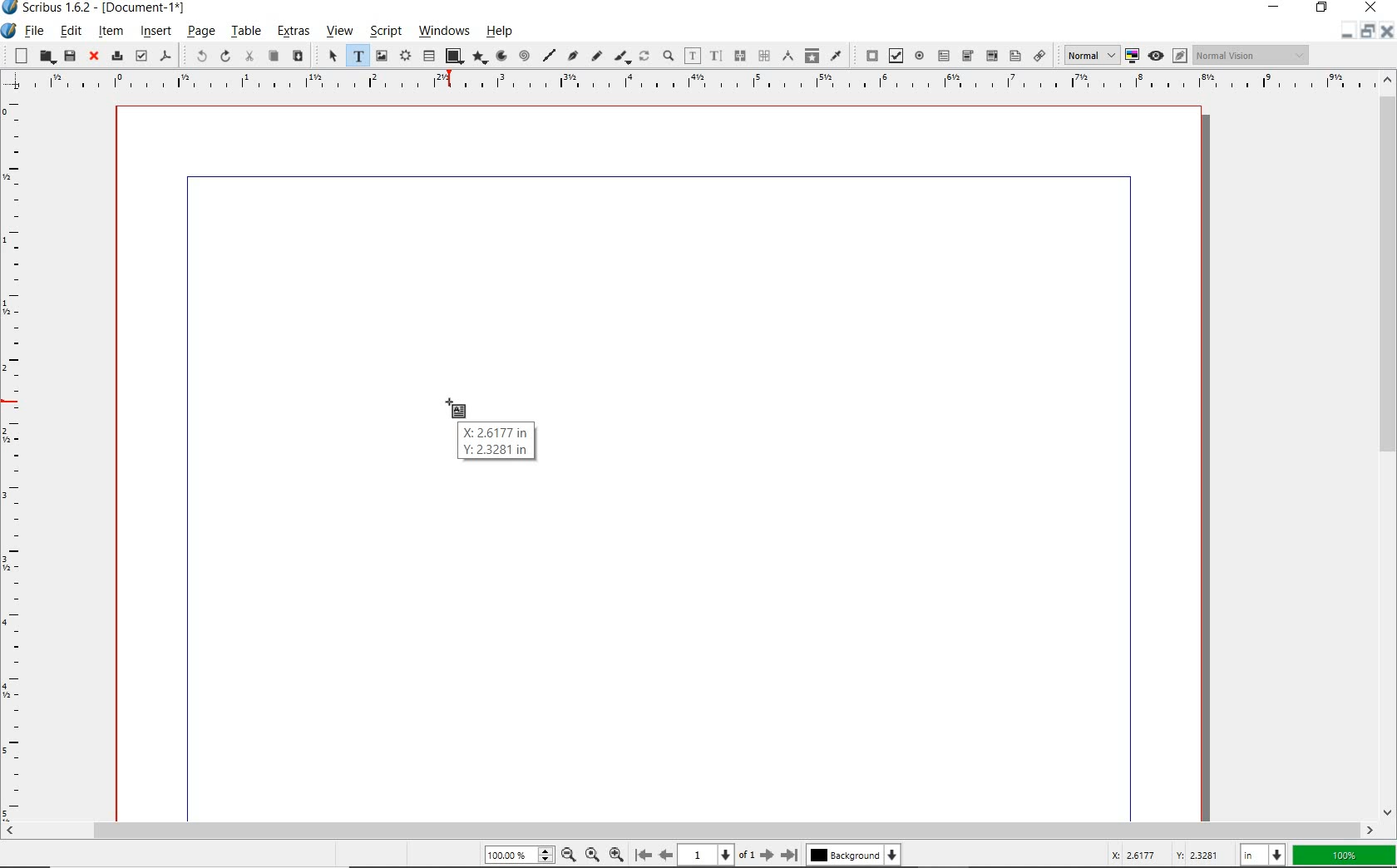  What do you see at coordinates (154, 31) in the screenshot?
I see `insert` at bounding box center [154, 31].